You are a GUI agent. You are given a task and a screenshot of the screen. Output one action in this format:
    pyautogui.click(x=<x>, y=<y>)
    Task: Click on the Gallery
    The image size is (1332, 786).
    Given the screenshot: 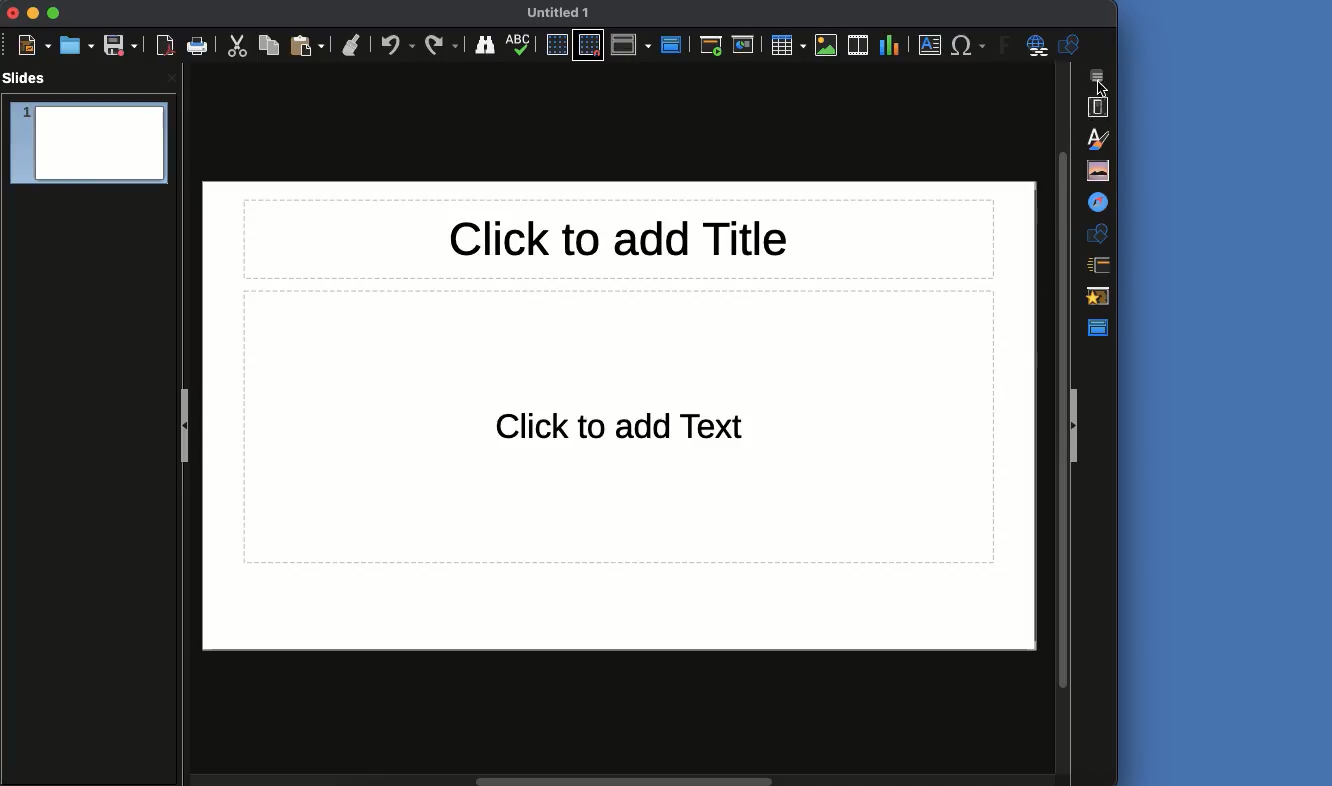 What is the action you would take?
    pyautogui.click(x=1099, y=172)
    